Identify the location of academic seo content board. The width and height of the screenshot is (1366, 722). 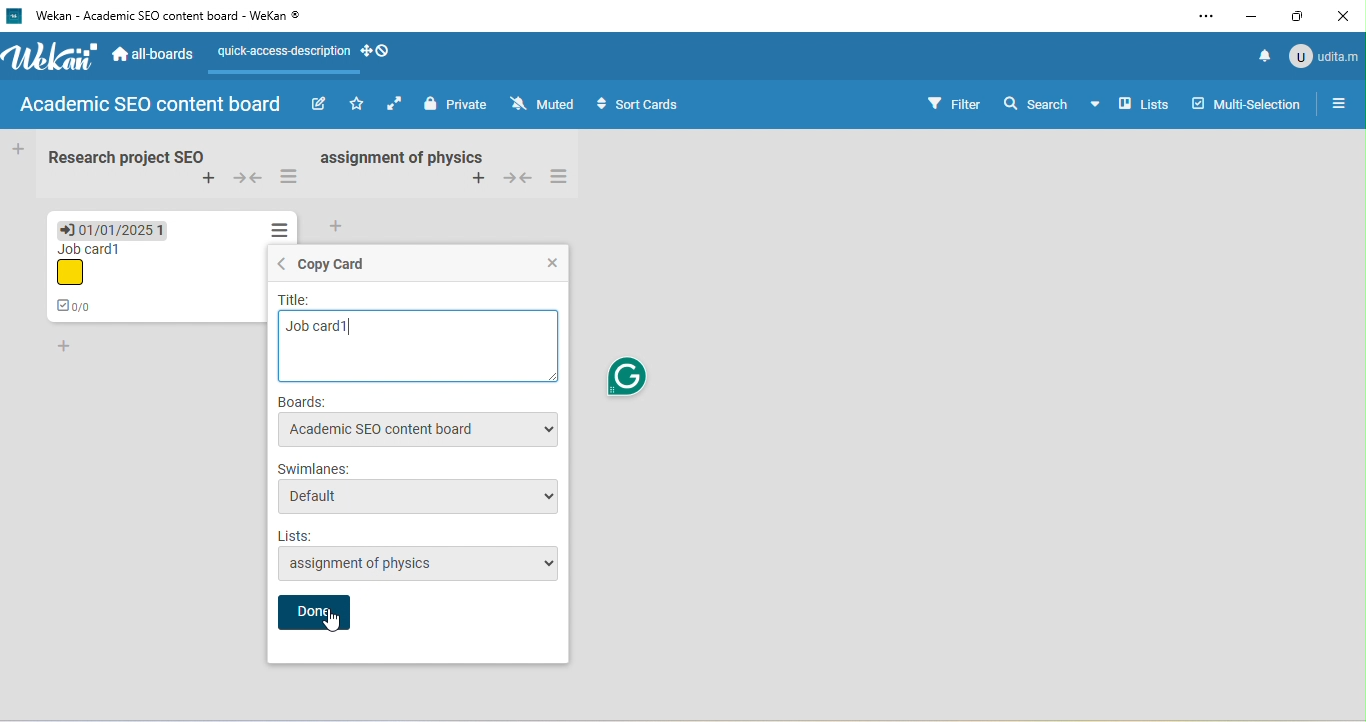
(418, 430).